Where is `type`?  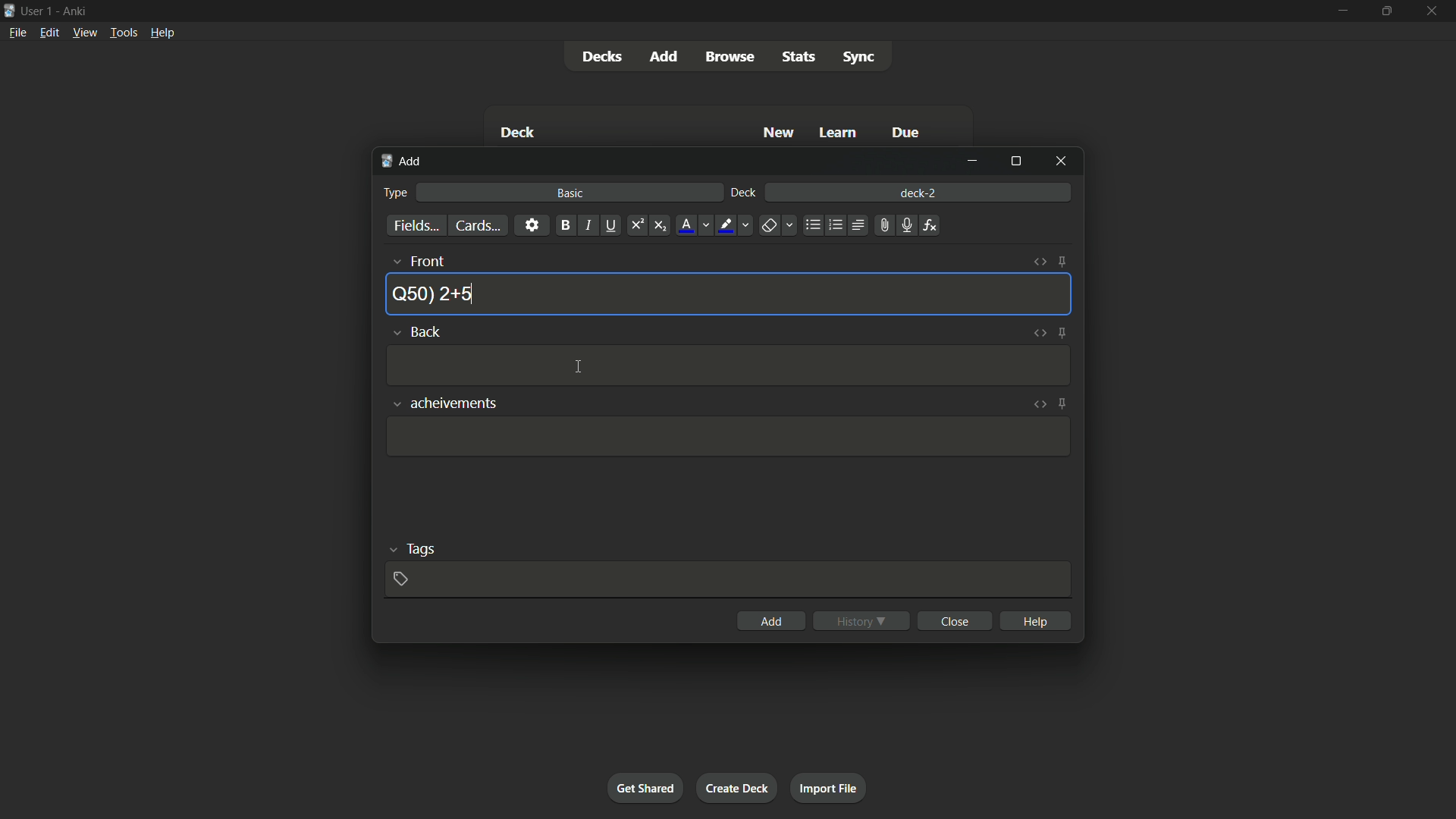
type is located at coordinates (395, 193).